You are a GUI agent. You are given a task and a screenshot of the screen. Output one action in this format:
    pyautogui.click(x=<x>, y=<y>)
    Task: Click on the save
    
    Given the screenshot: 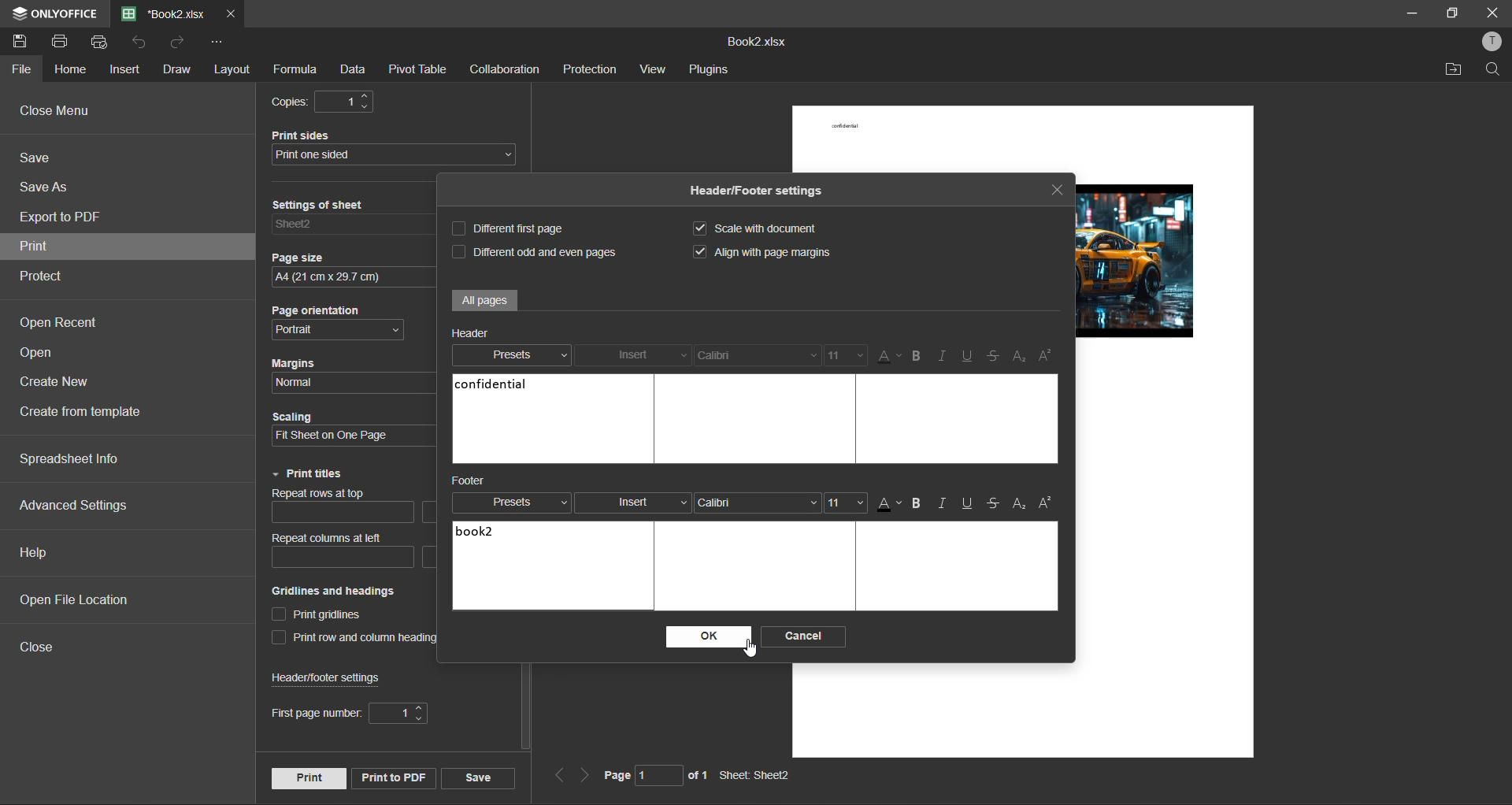 What is the action you would take?
    pyautogui.click(x=474, y=777)
    